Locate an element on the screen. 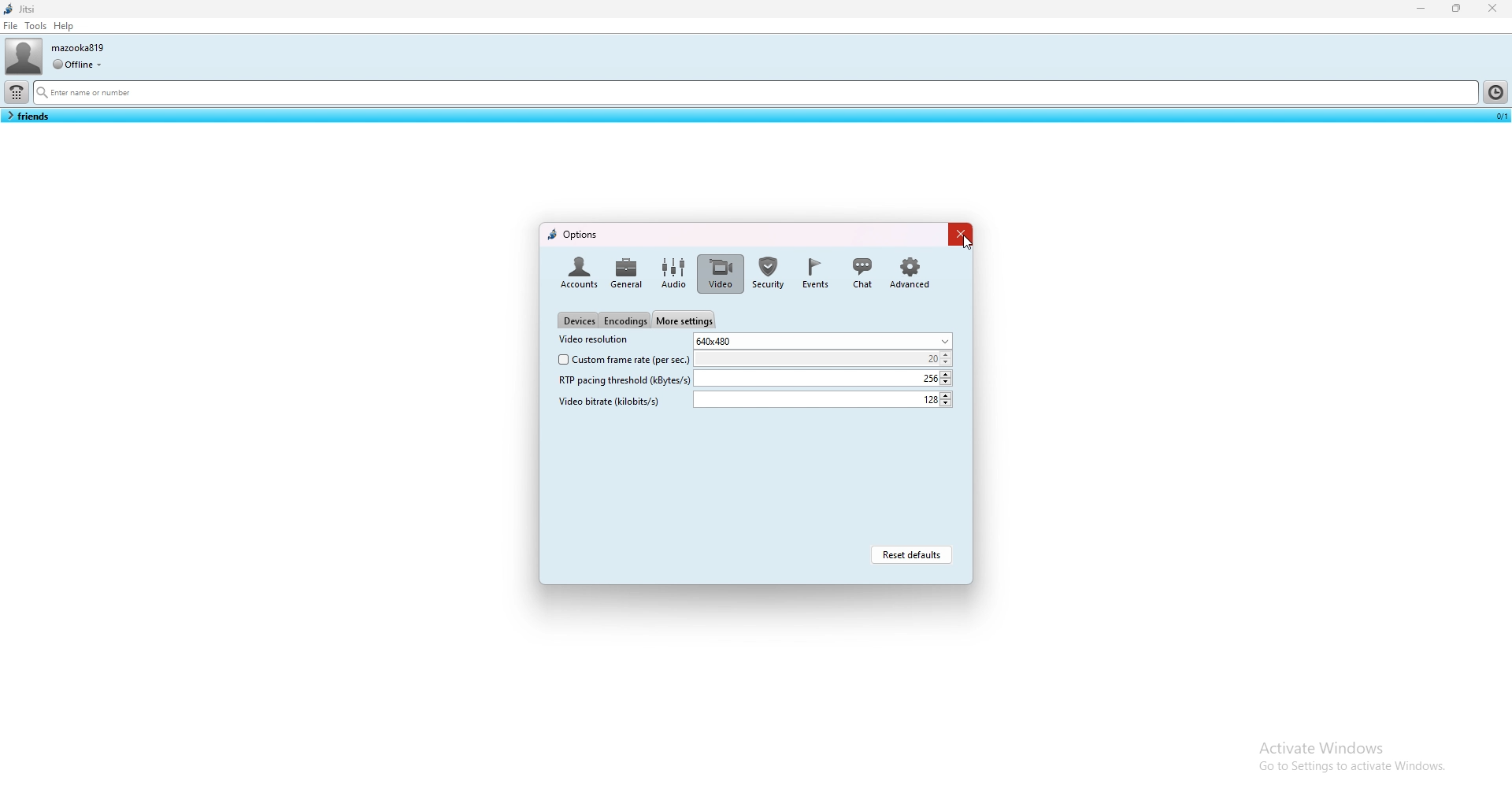 This screenshot has width=1512, height=811. Events is located at coordinates (815, 272).